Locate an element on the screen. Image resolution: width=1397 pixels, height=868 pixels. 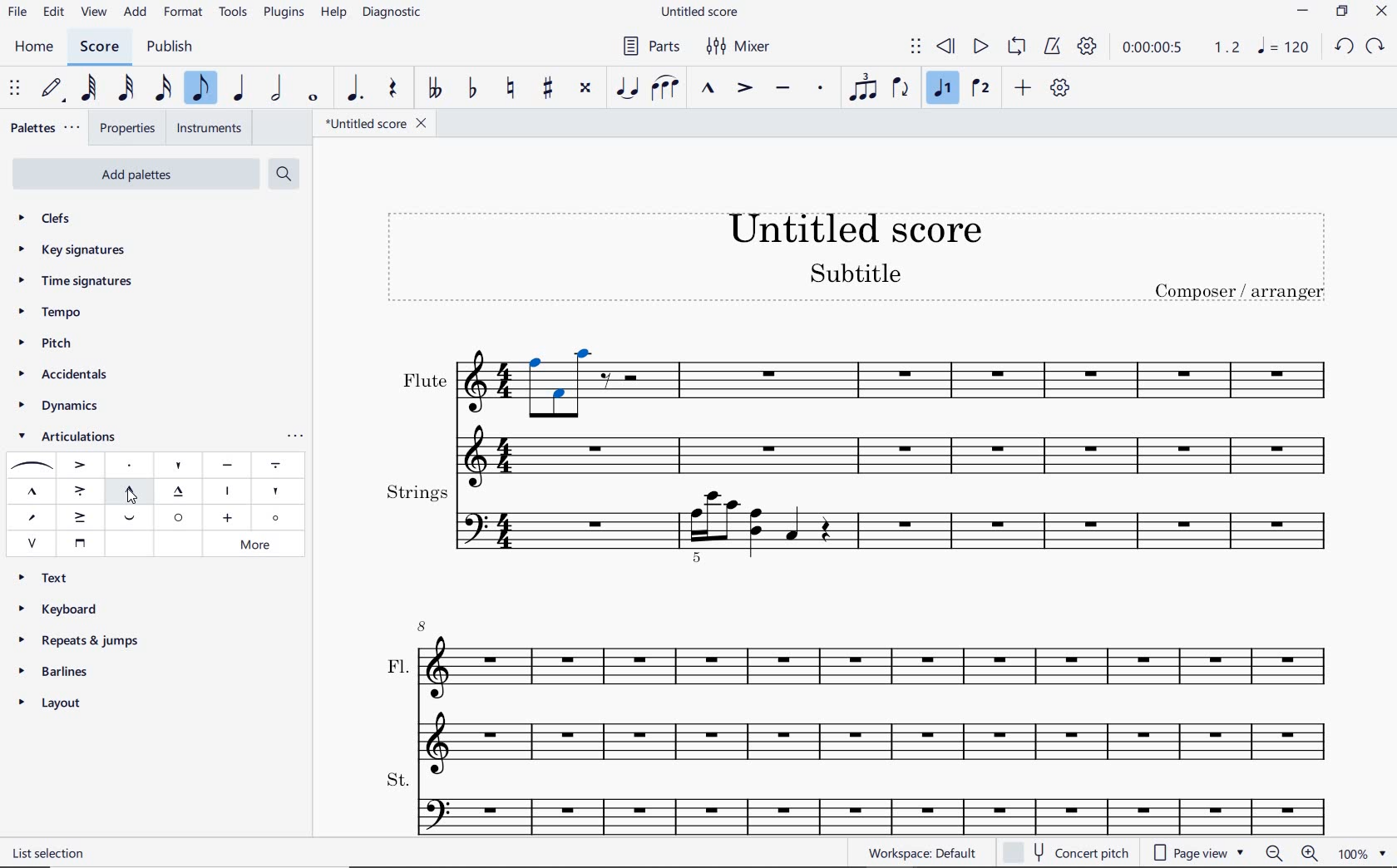
LOURE is located at coordinates (275, 466).